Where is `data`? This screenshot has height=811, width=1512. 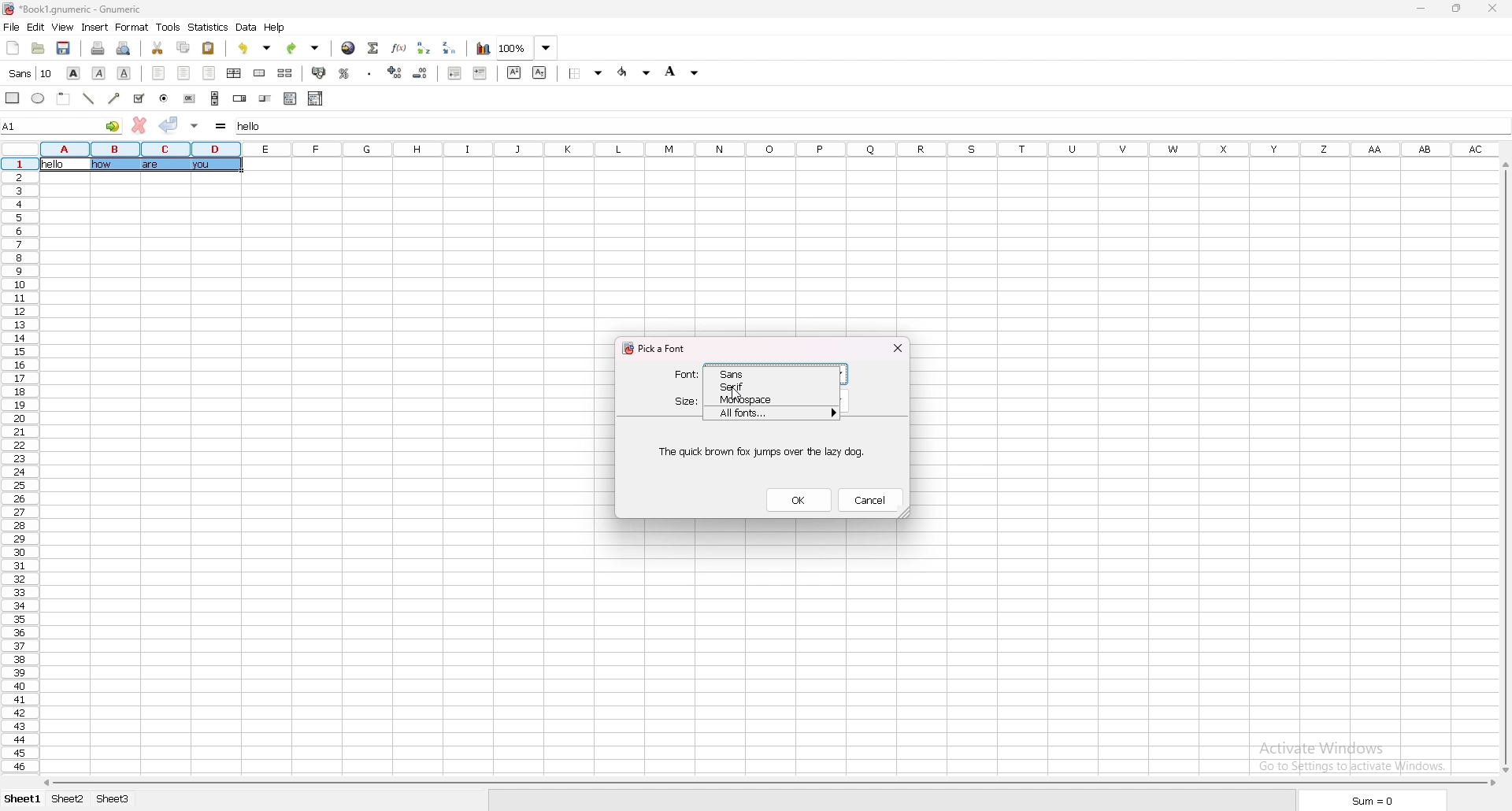
data is located at coordinates (246, 28).